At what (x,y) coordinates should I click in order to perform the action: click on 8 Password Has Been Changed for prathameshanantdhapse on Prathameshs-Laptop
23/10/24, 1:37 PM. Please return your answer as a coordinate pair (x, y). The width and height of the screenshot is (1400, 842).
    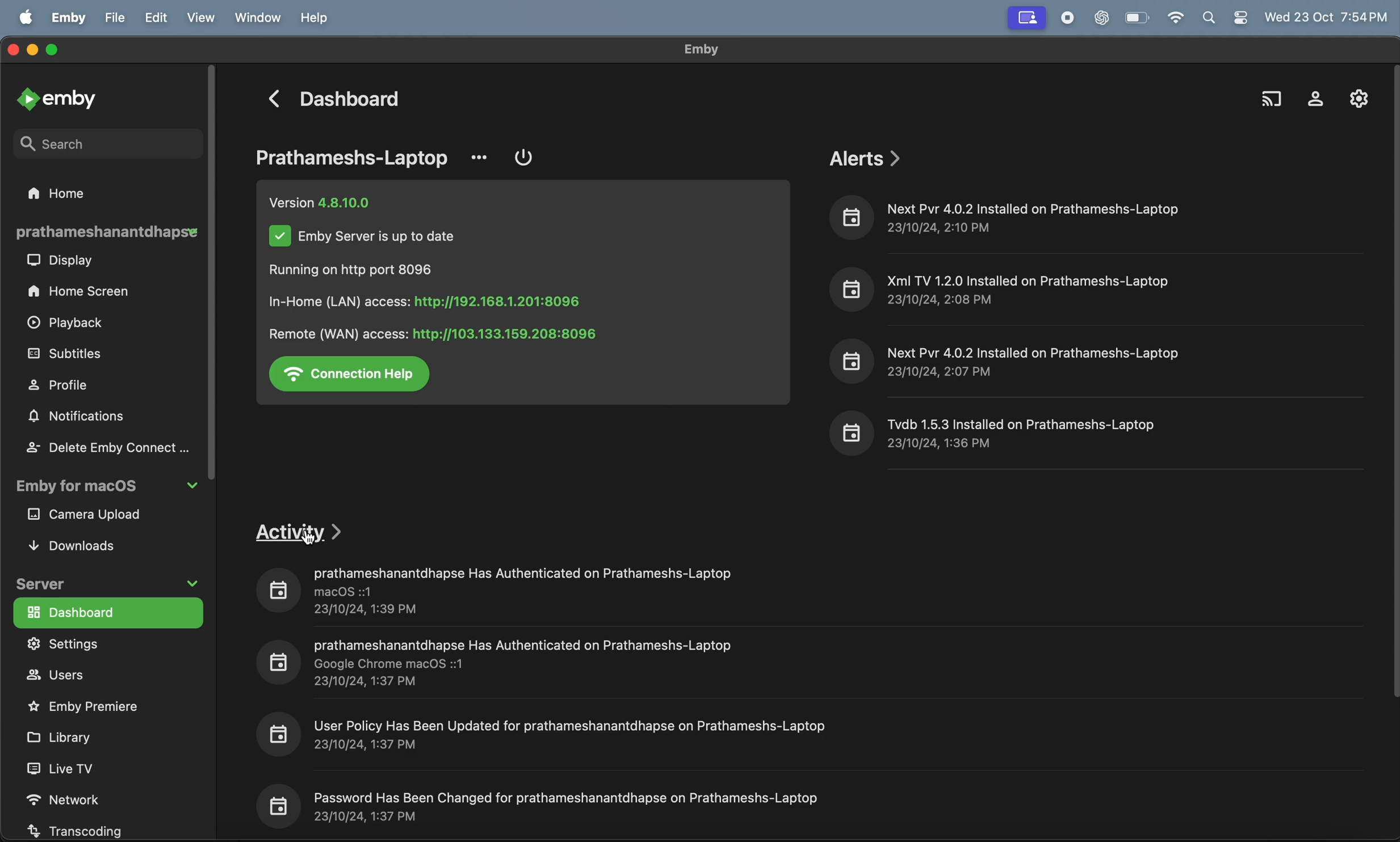
    Looking at the image, I should click on (541, 803).